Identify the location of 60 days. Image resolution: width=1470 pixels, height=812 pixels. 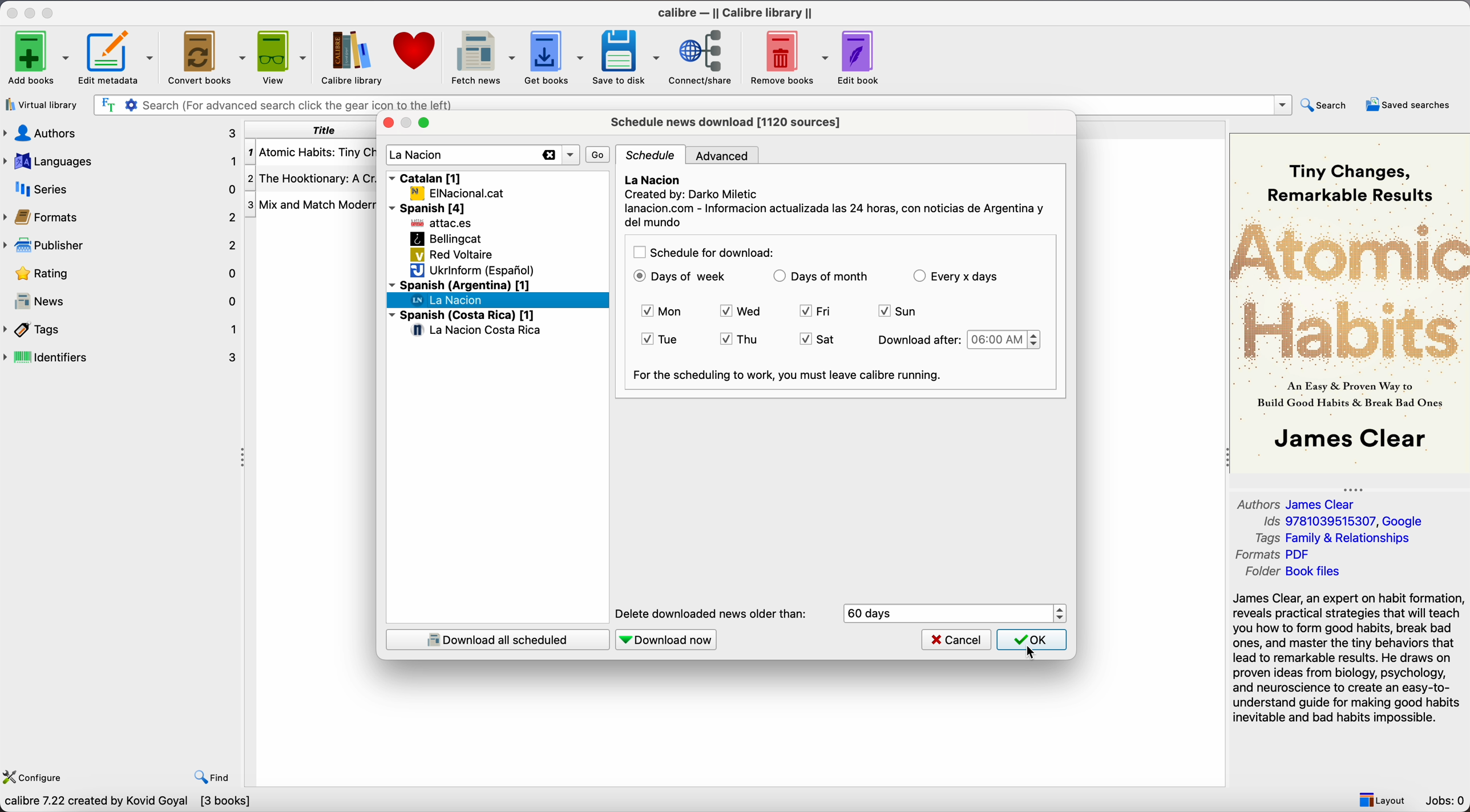
(871, 613).